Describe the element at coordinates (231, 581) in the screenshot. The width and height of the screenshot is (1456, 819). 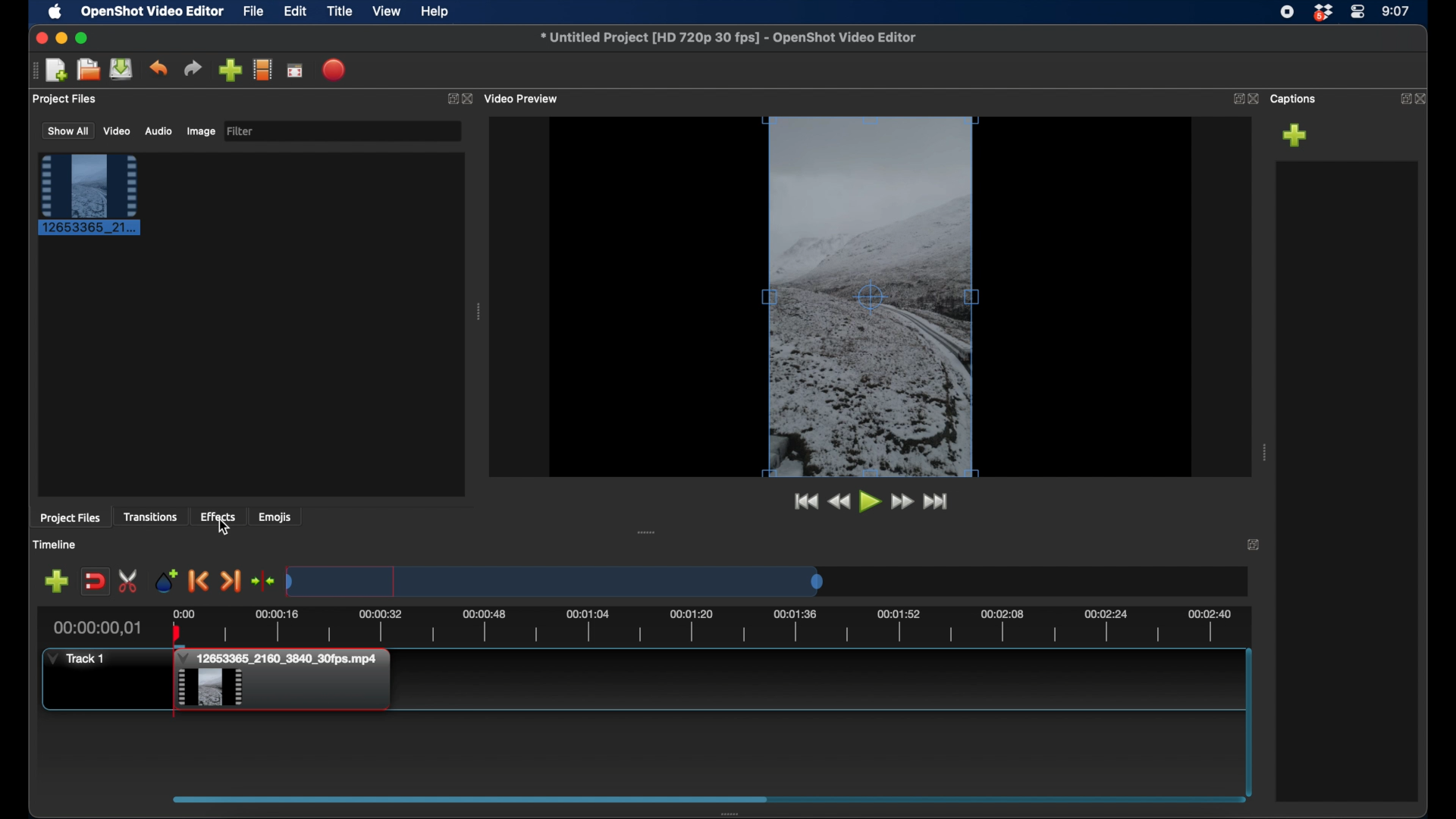
I see `next marker` at that location.